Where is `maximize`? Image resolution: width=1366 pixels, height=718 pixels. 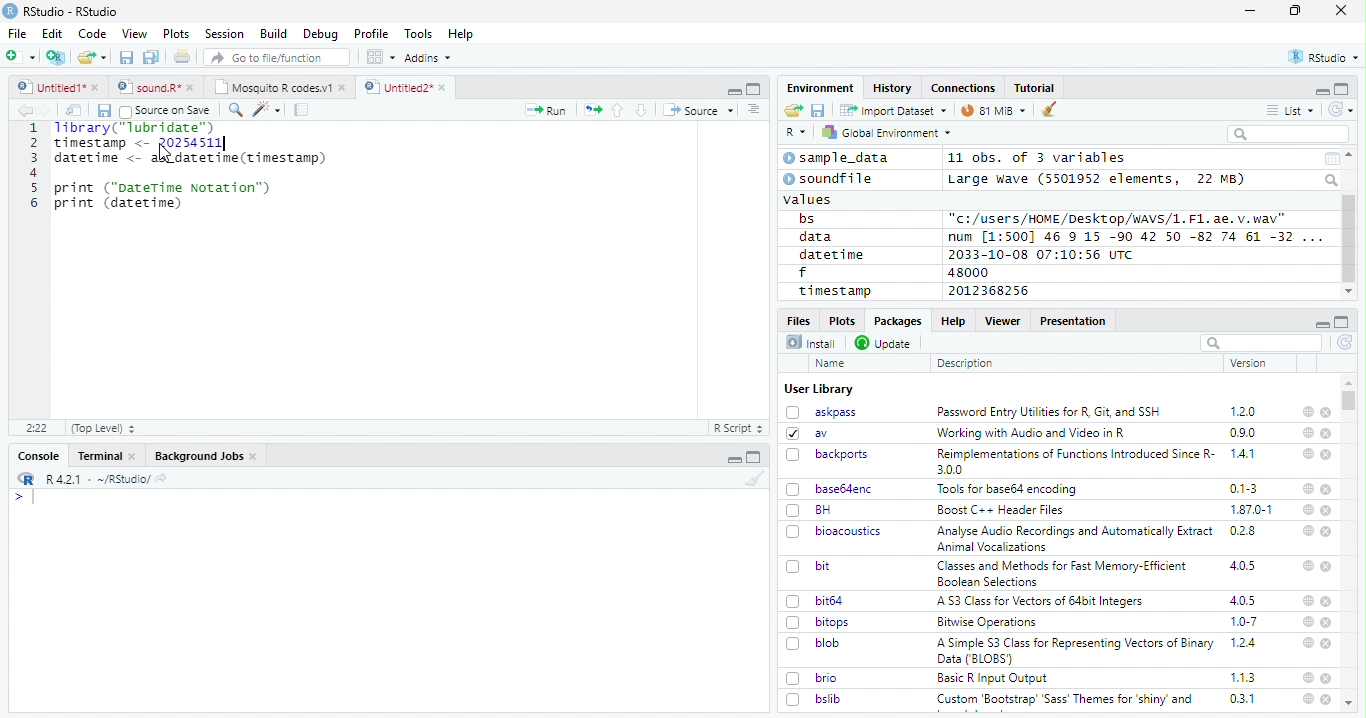 maximize is located at coordinates (1295, 11).